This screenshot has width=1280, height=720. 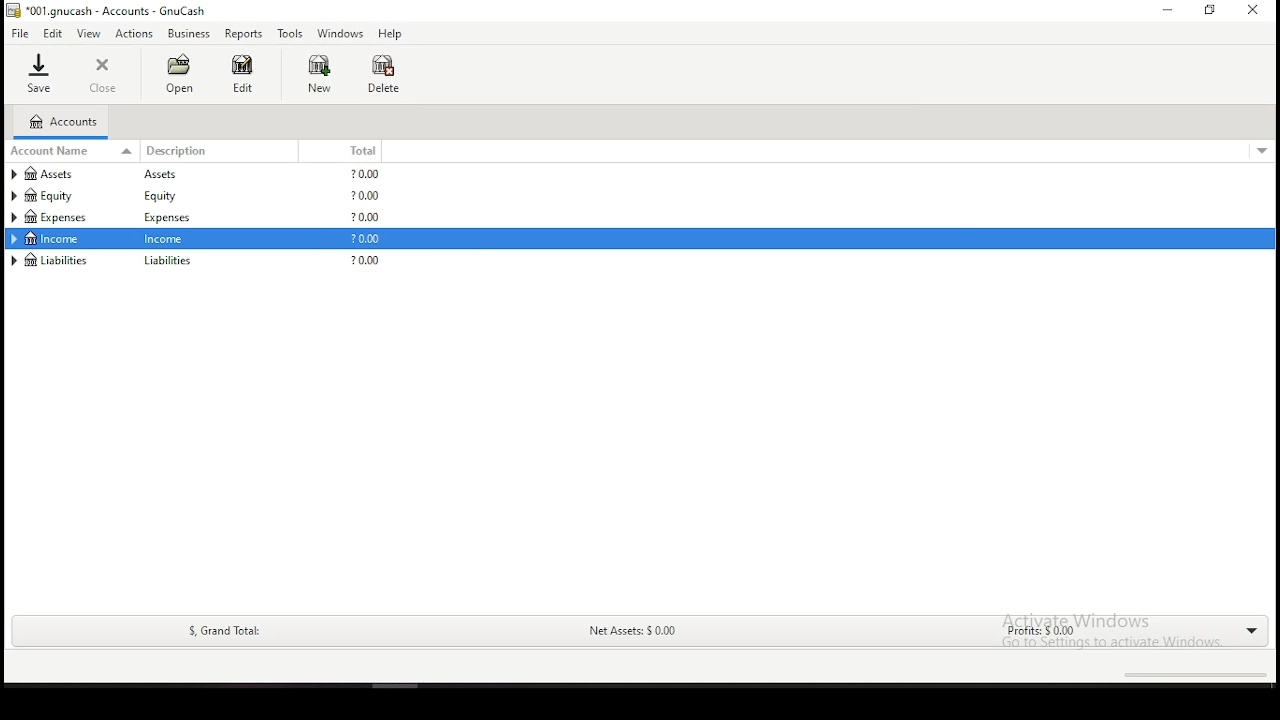 What do you see at coordinates (58, 195) in the screenshot?
I see `equity` at bounding box center [58, 195].